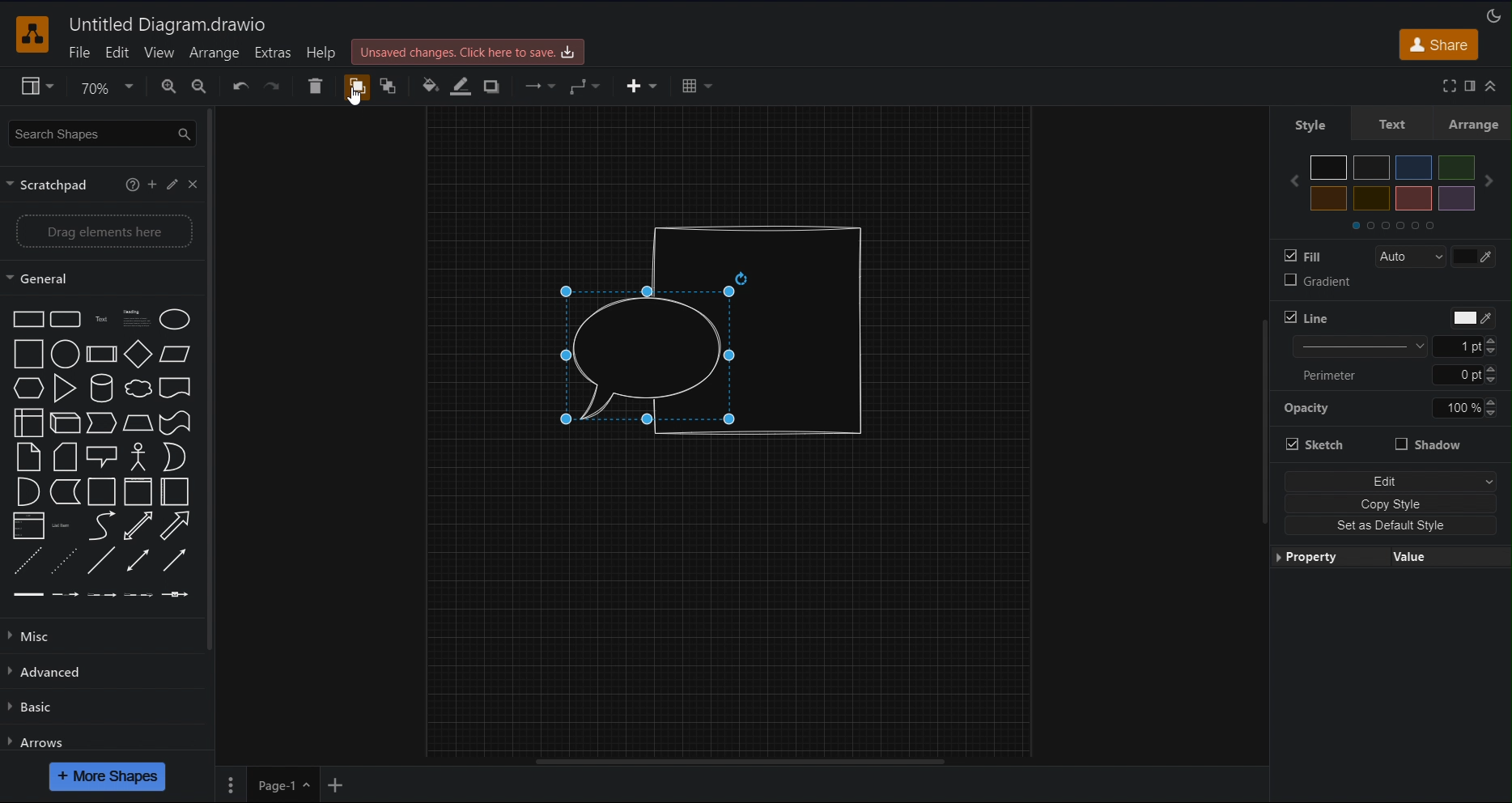  What do you see at coordinates (174, 423) in the screenshot?
I see `Tape` at bounding box center [174, 423].